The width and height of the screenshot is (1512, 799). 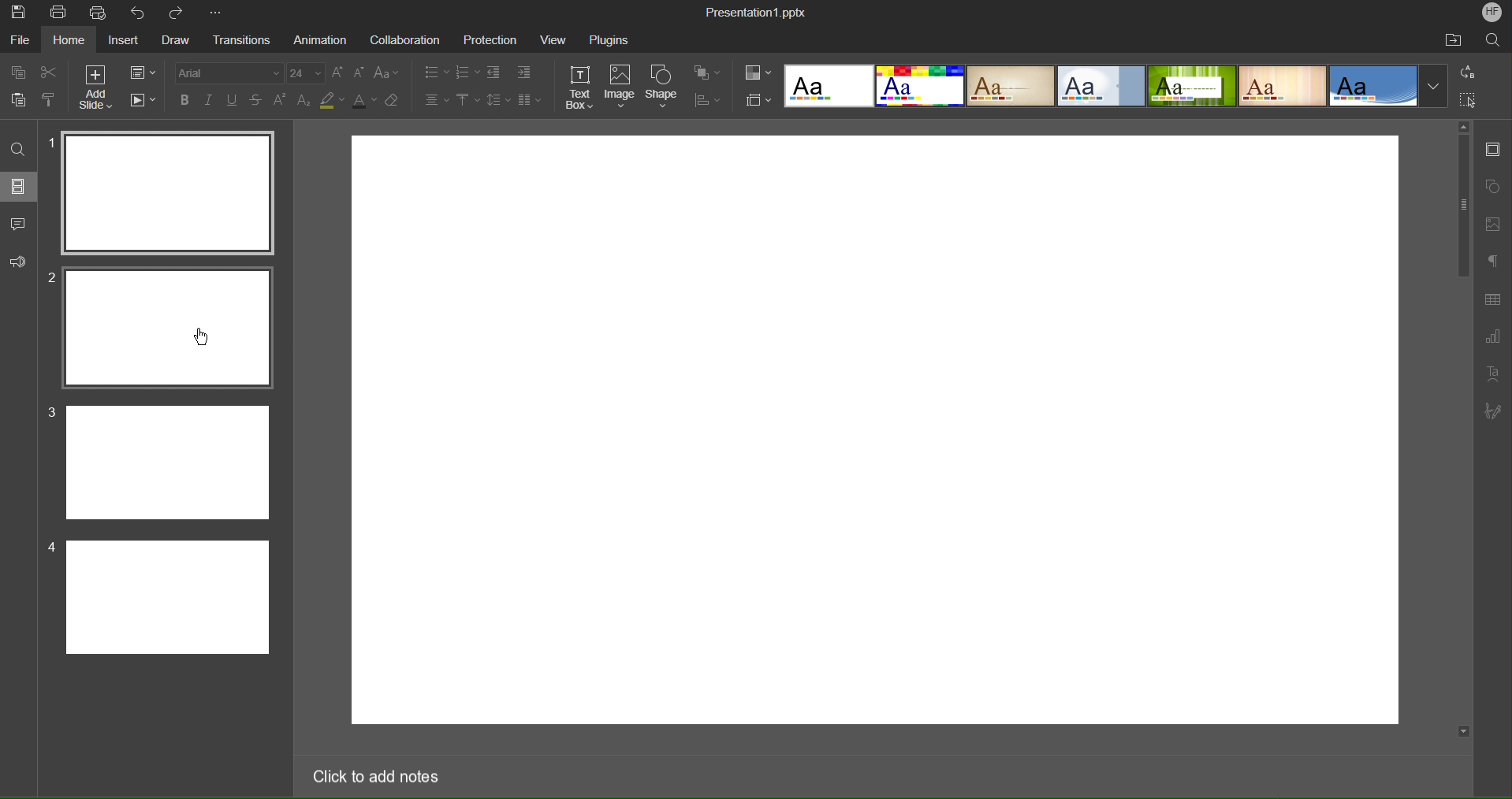 I want to click on paste, so click(x=22, y=101).